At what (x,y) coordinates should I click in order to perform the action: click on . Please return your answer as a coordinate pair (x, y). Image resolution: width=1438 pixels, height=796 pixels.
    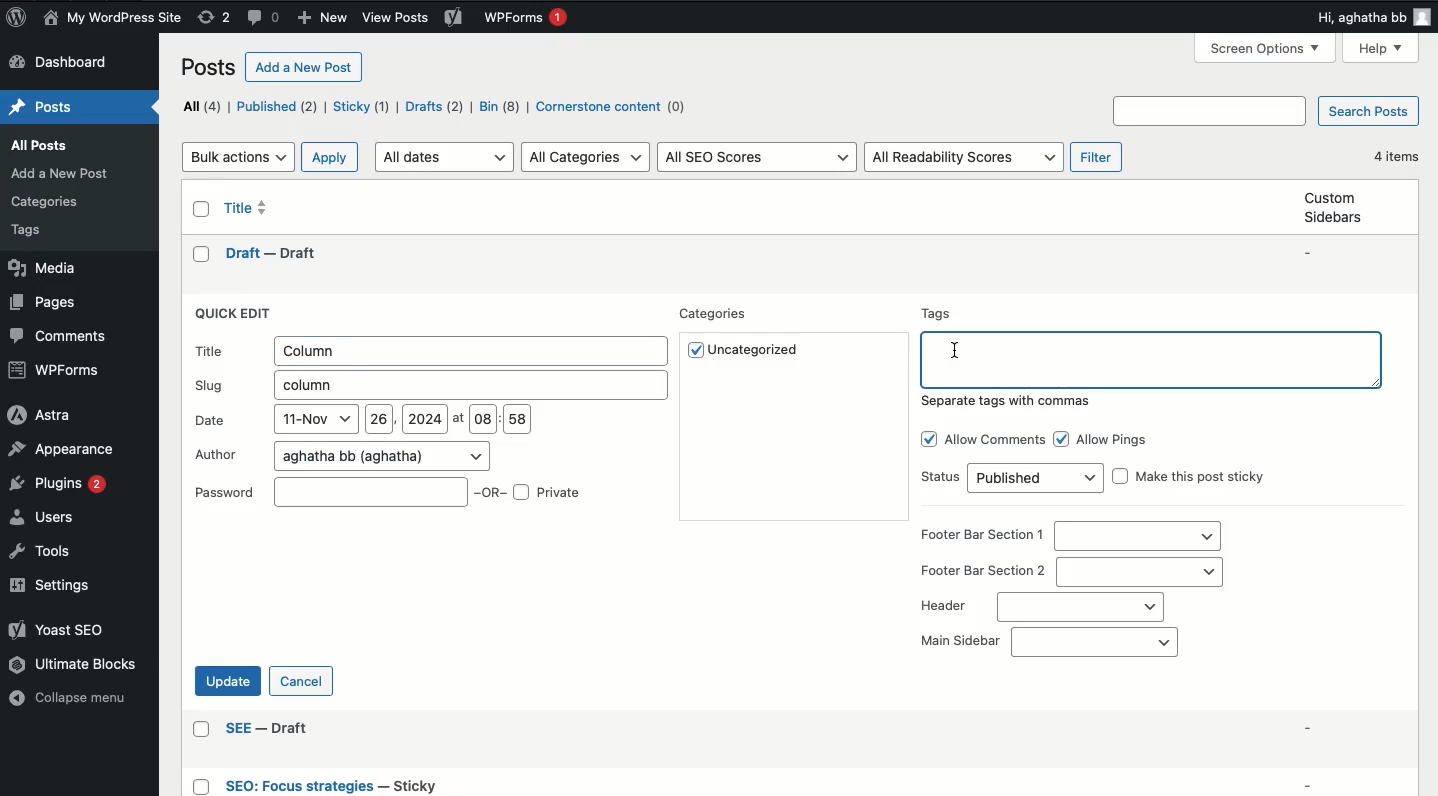
    Looking at the image, I should click on (247, 728).